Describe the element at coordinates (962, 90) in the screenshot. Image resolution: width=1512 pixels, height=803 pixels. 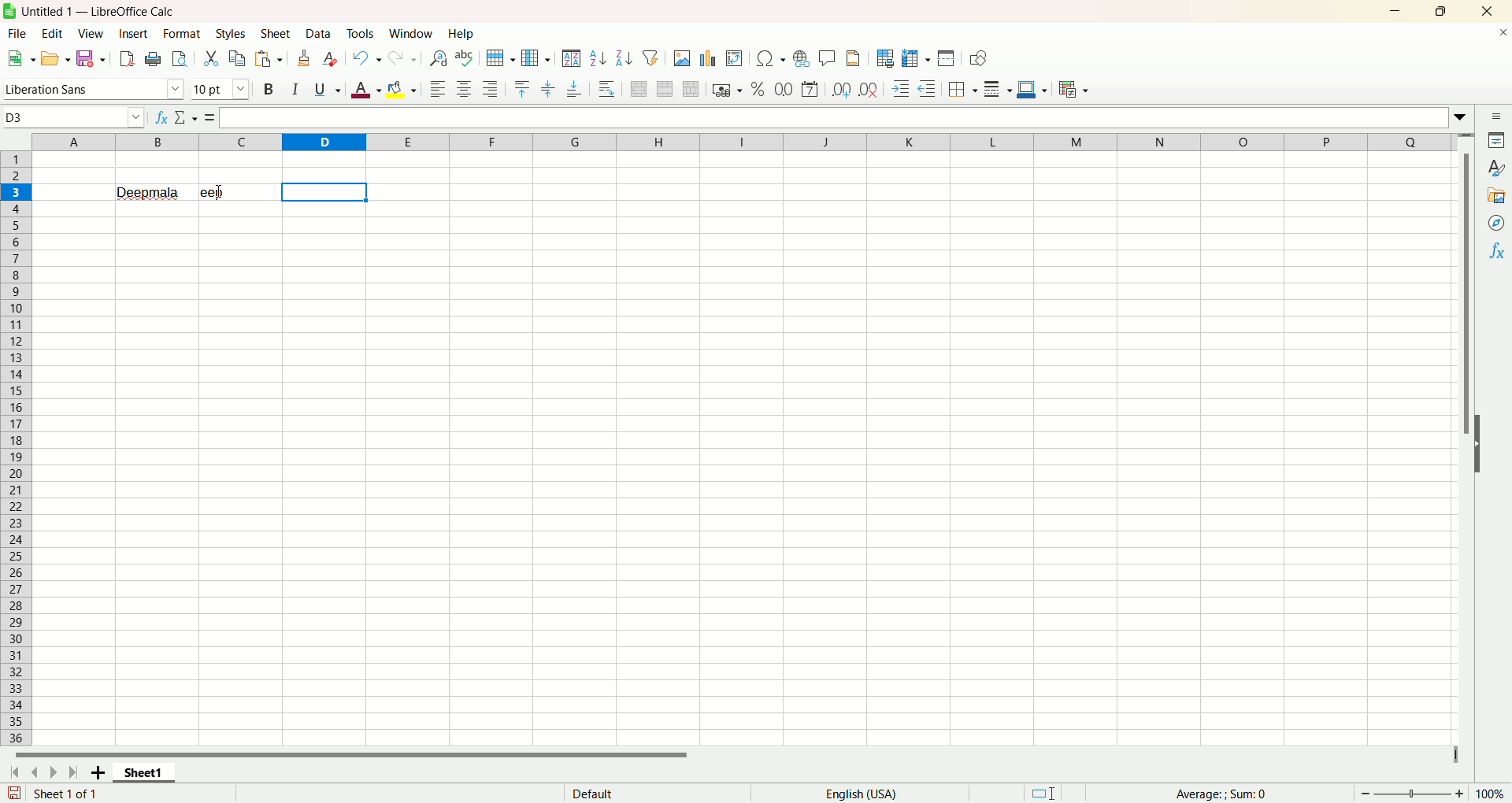
I see `Borders` at that location.